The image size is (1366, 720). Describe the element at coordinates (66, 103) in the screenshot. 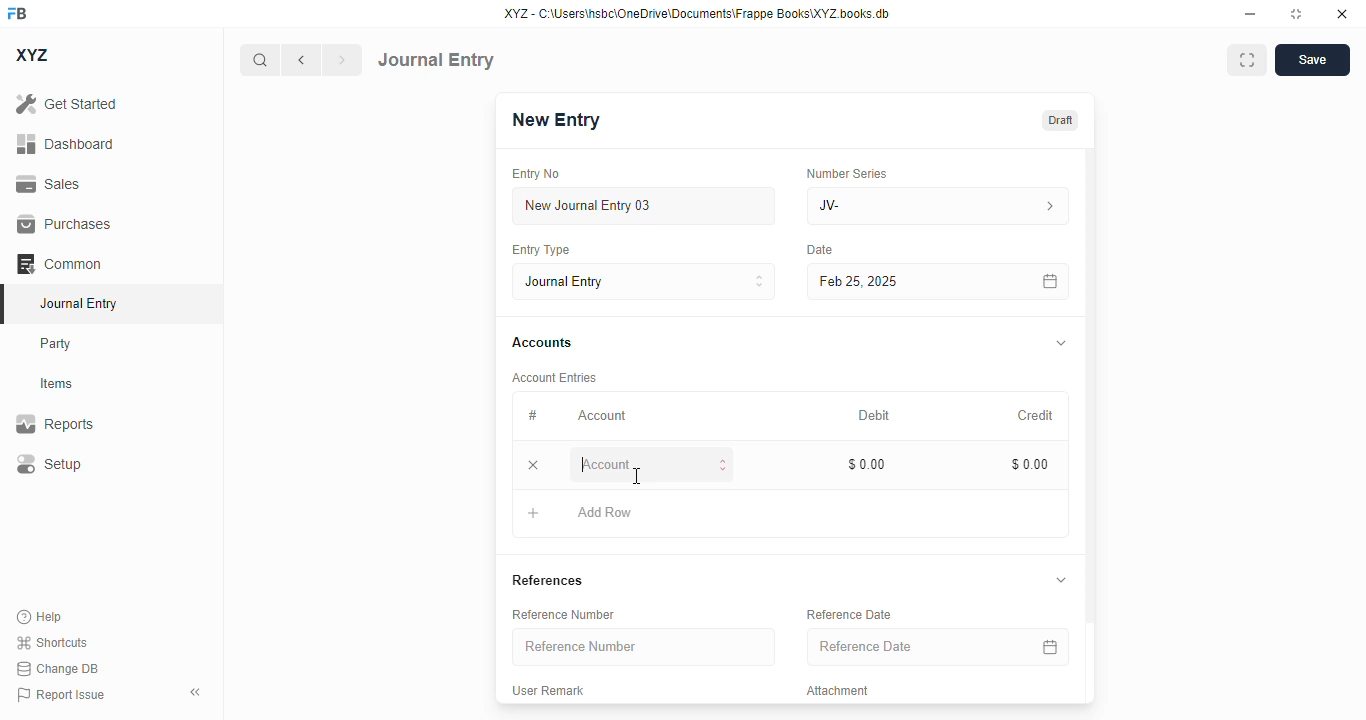

I see `get started` at that location.